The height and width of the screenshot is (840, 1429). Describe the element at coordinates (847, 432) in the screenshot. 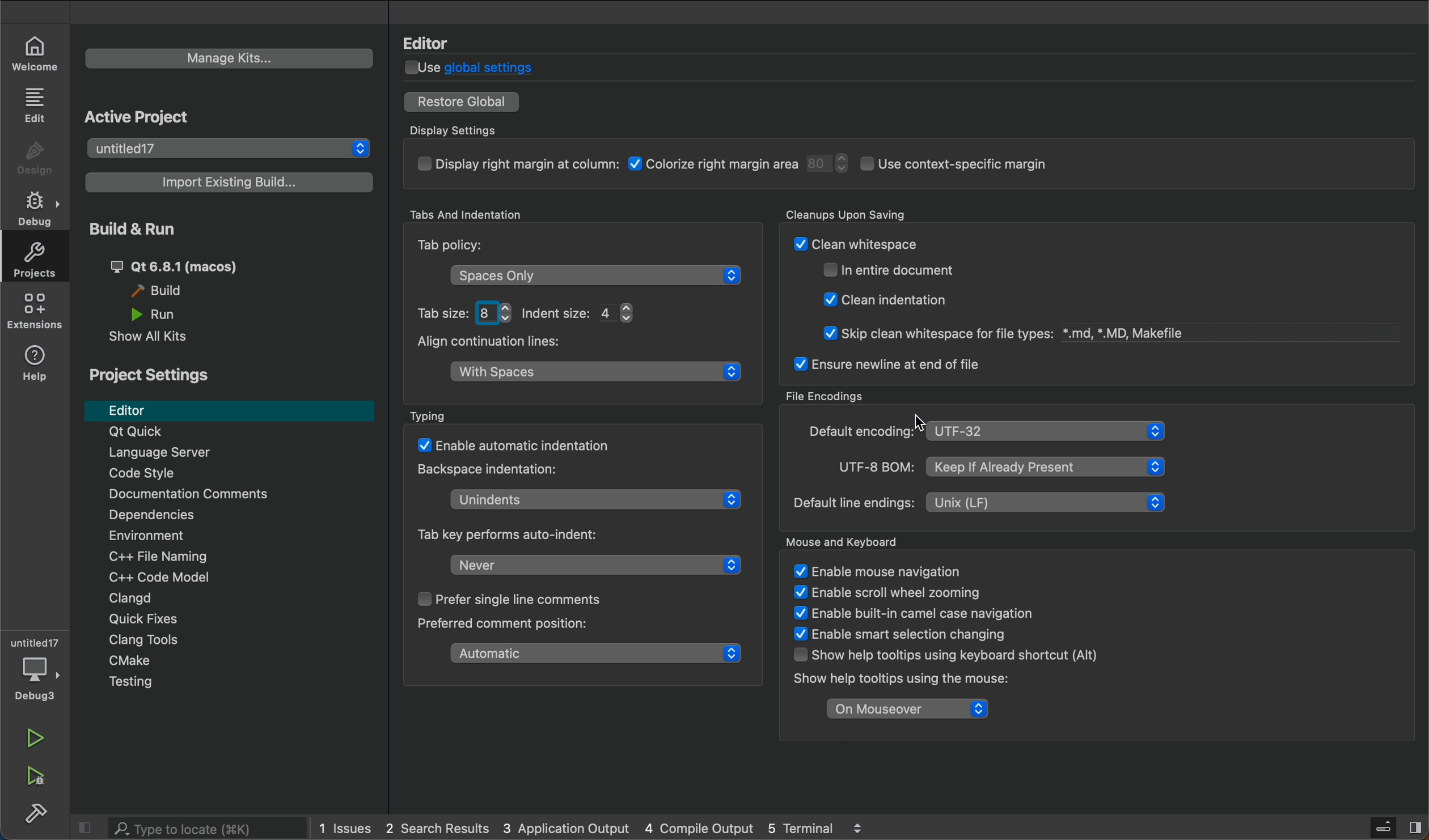

I see `encoding type` at that location.